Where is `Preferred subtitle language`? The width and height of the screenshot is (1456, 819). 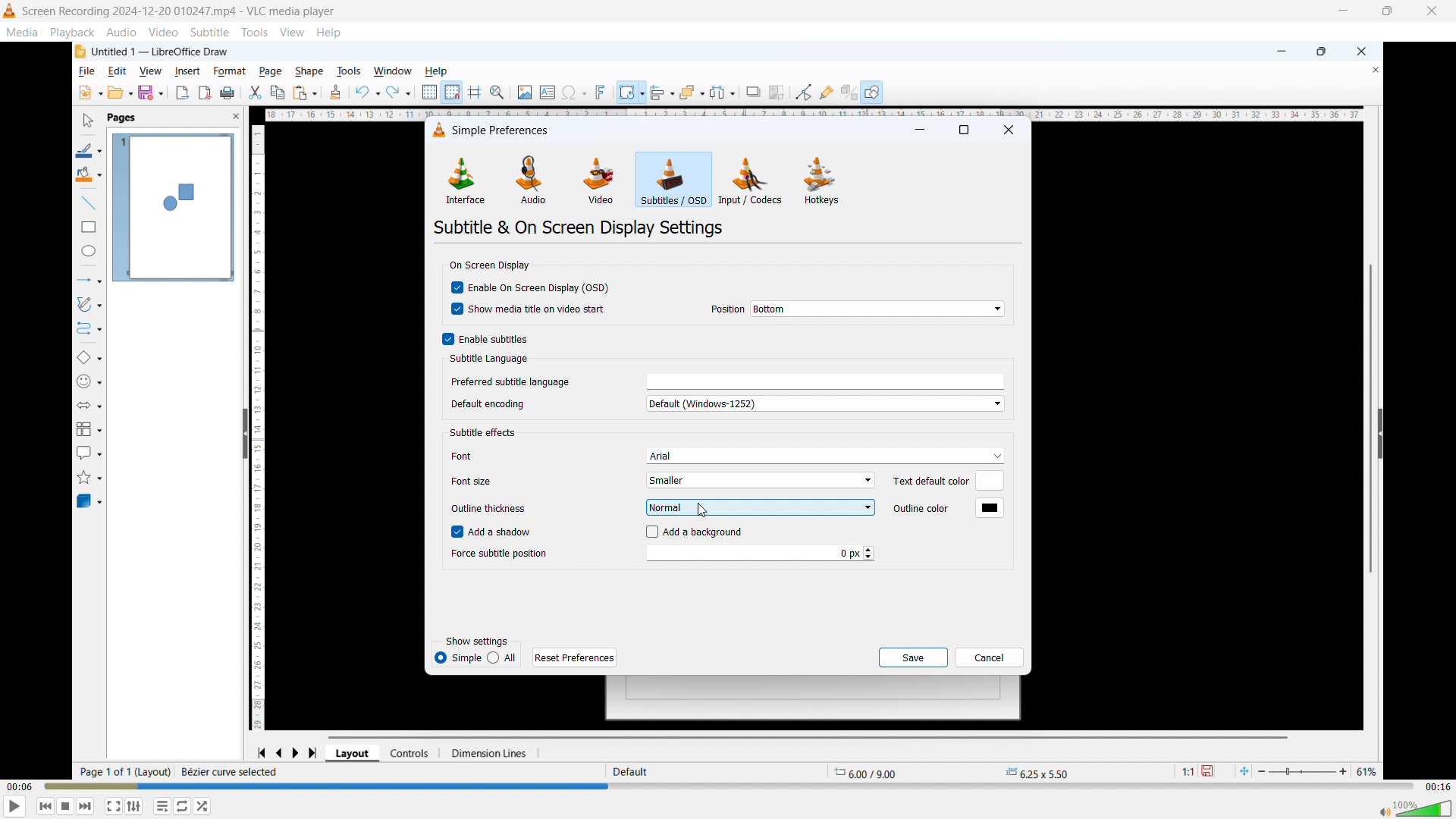
Preferred subtitle language is located at coordinates (510, 383).